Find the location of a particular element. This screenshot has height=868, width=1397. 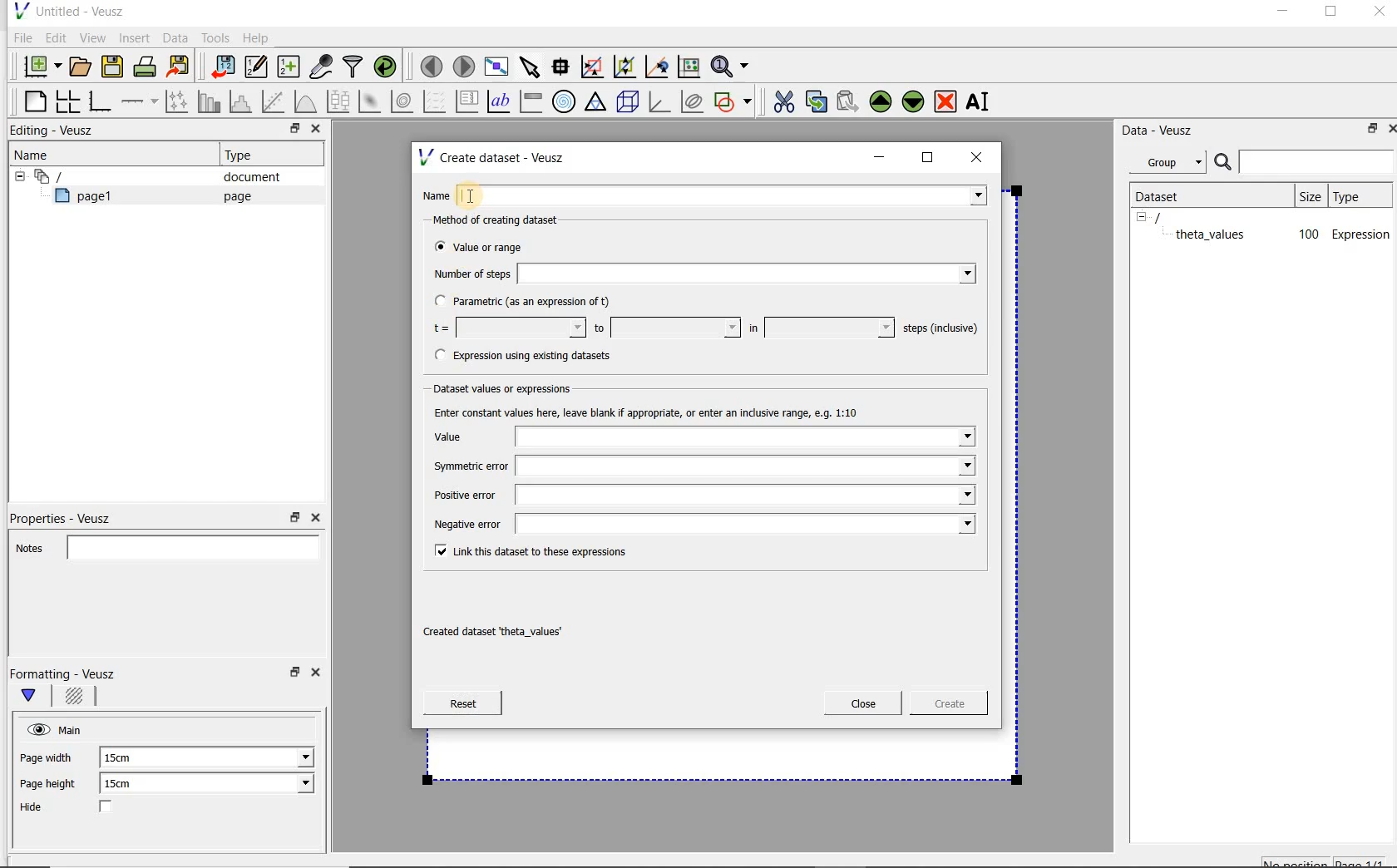

import data into Veusz is located at coordinates (221, 67).